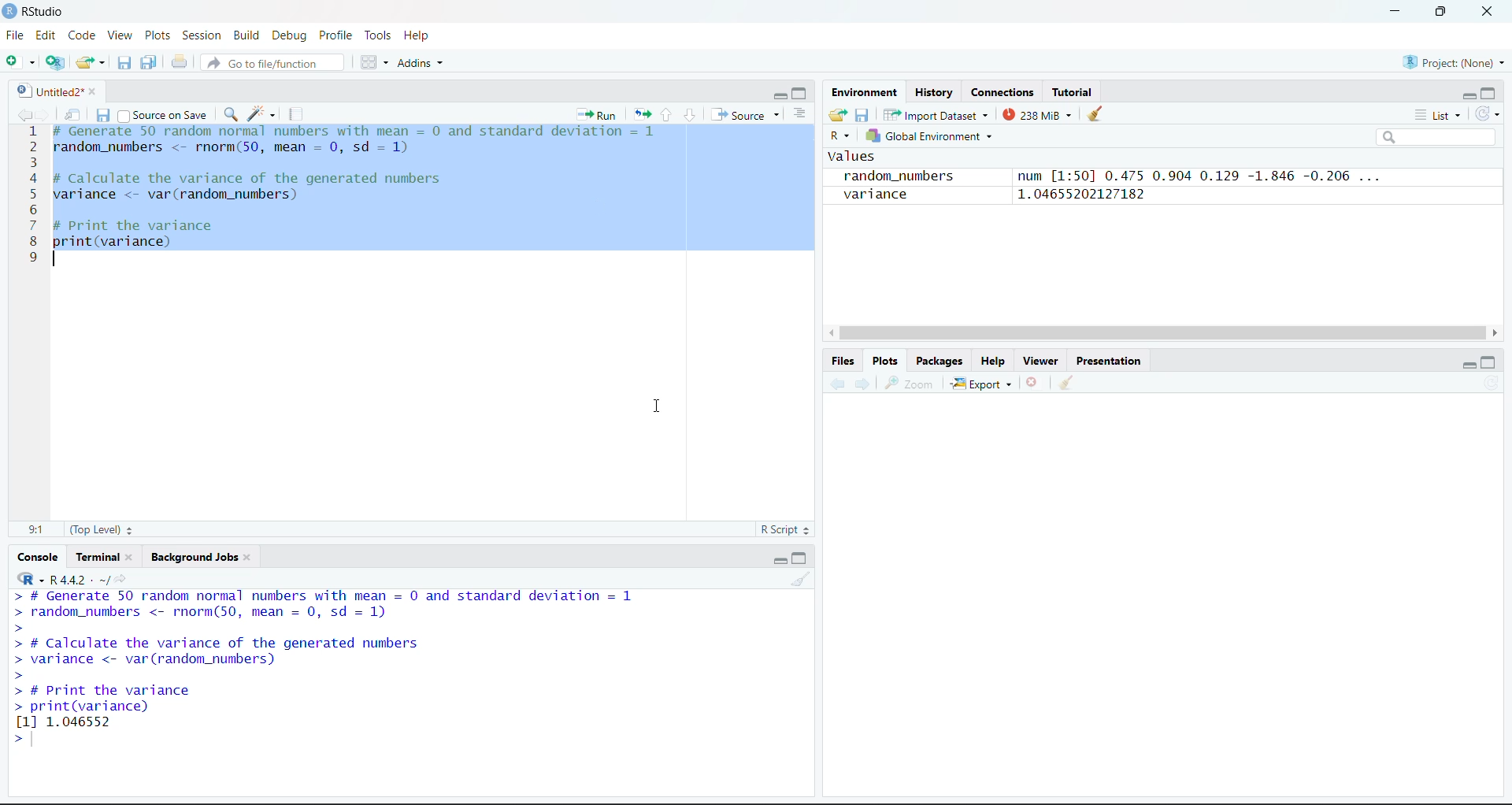  What do you see at coordinates (992, 361) in the screenshot?
I see `Help` at bounding box center [992, 361].